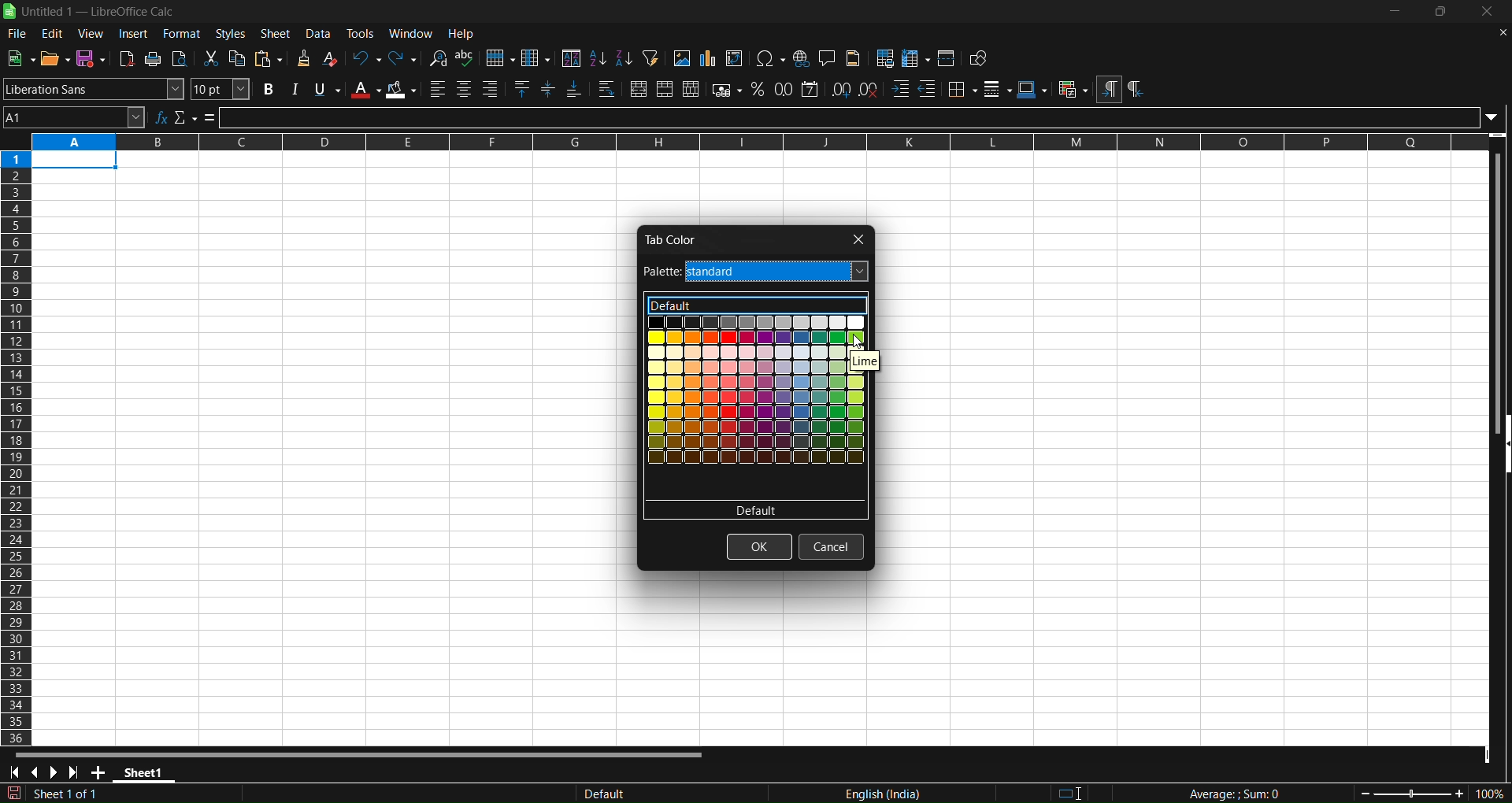 This screenshot has height=803, width=1512. What do you see at coordinates (365, 57) in the screenshot?
I see `undo` at bounding box center [365, 57].